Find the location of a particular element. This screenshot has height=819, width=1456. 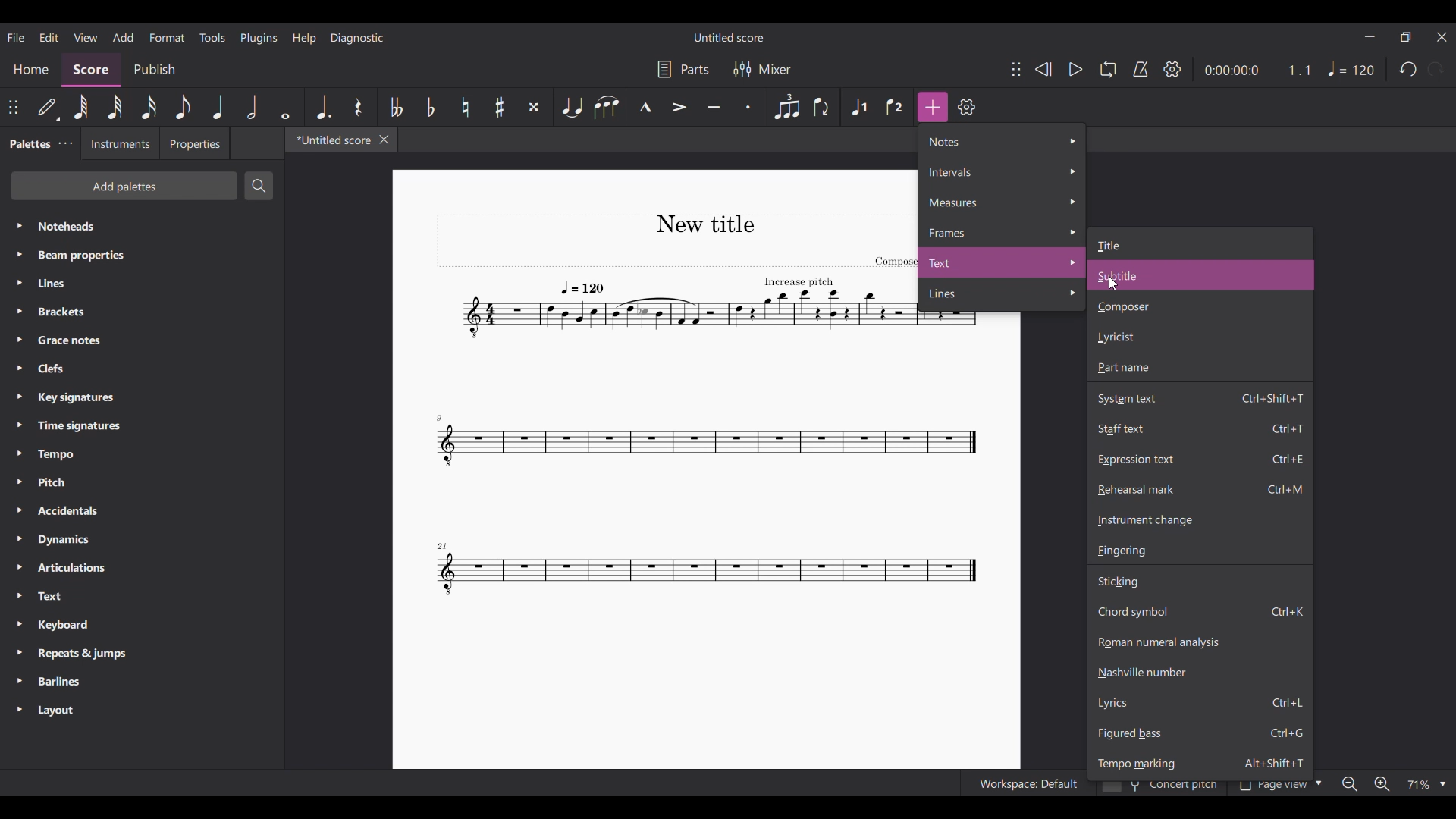

Show in smaller tab is located at coordinates (1405, 37).